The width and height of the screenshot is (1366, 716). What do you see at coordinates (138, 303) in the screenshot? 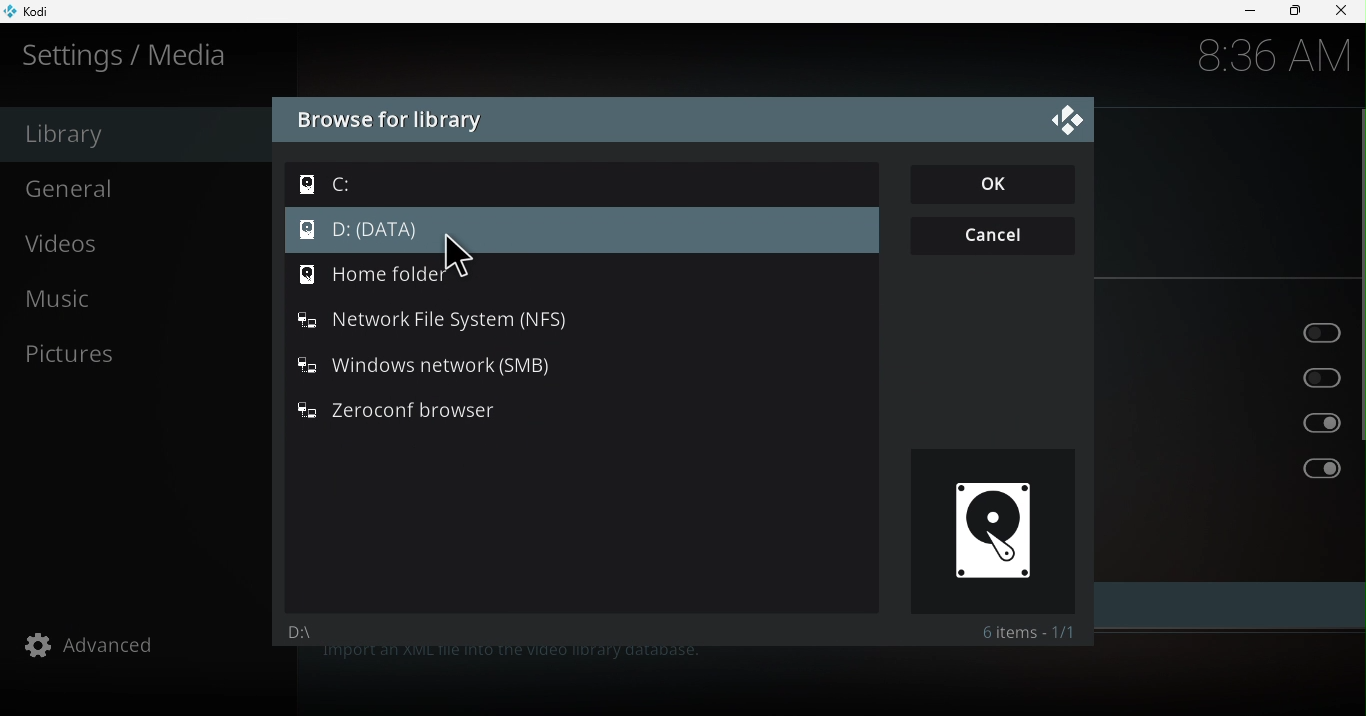
I see `Music` at bounding box center [138, 303].